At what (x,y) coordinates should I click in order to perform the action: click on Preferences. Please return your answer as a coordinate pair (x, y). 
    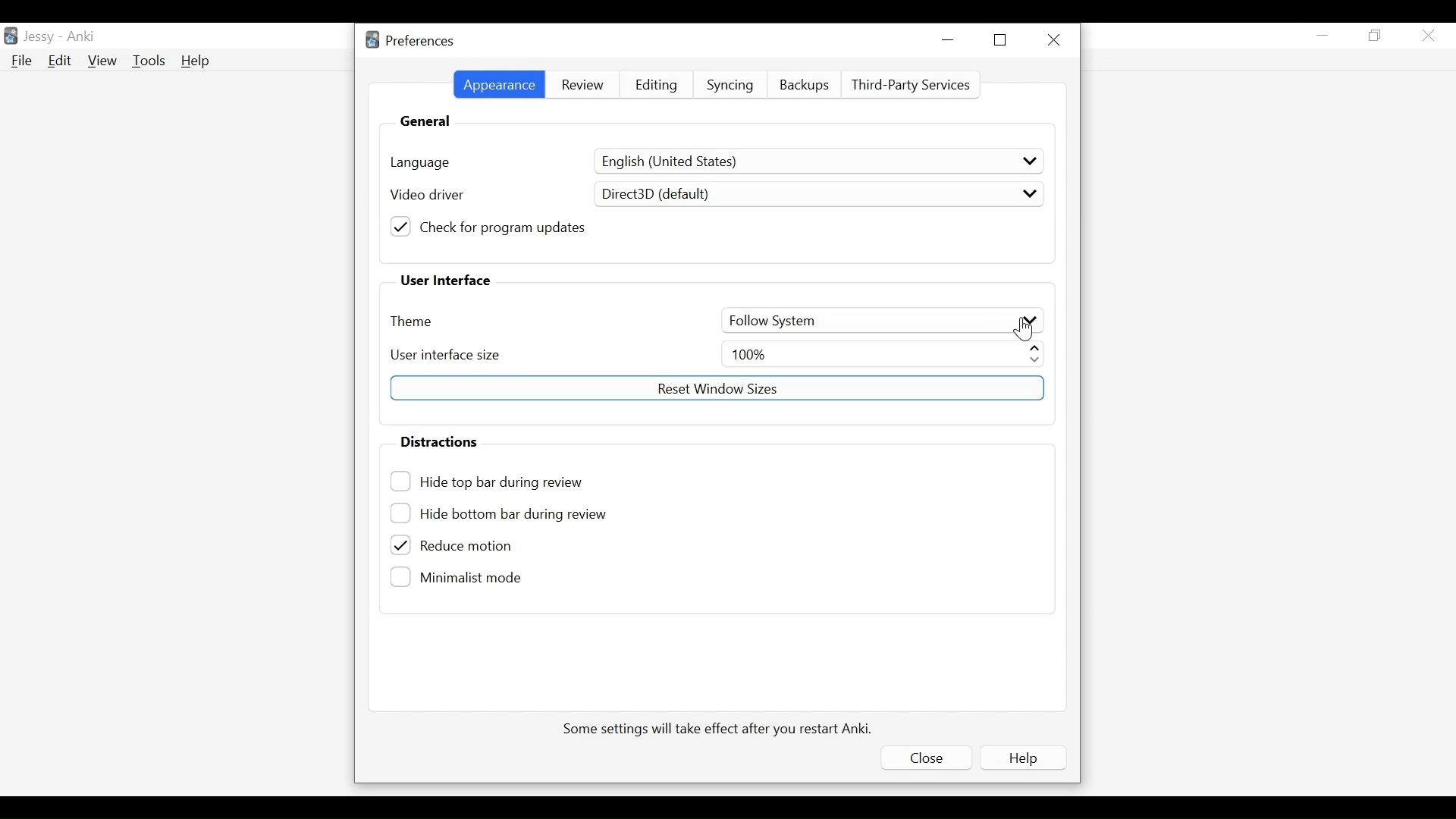
    Looking at the image, I should click on (410, 42).